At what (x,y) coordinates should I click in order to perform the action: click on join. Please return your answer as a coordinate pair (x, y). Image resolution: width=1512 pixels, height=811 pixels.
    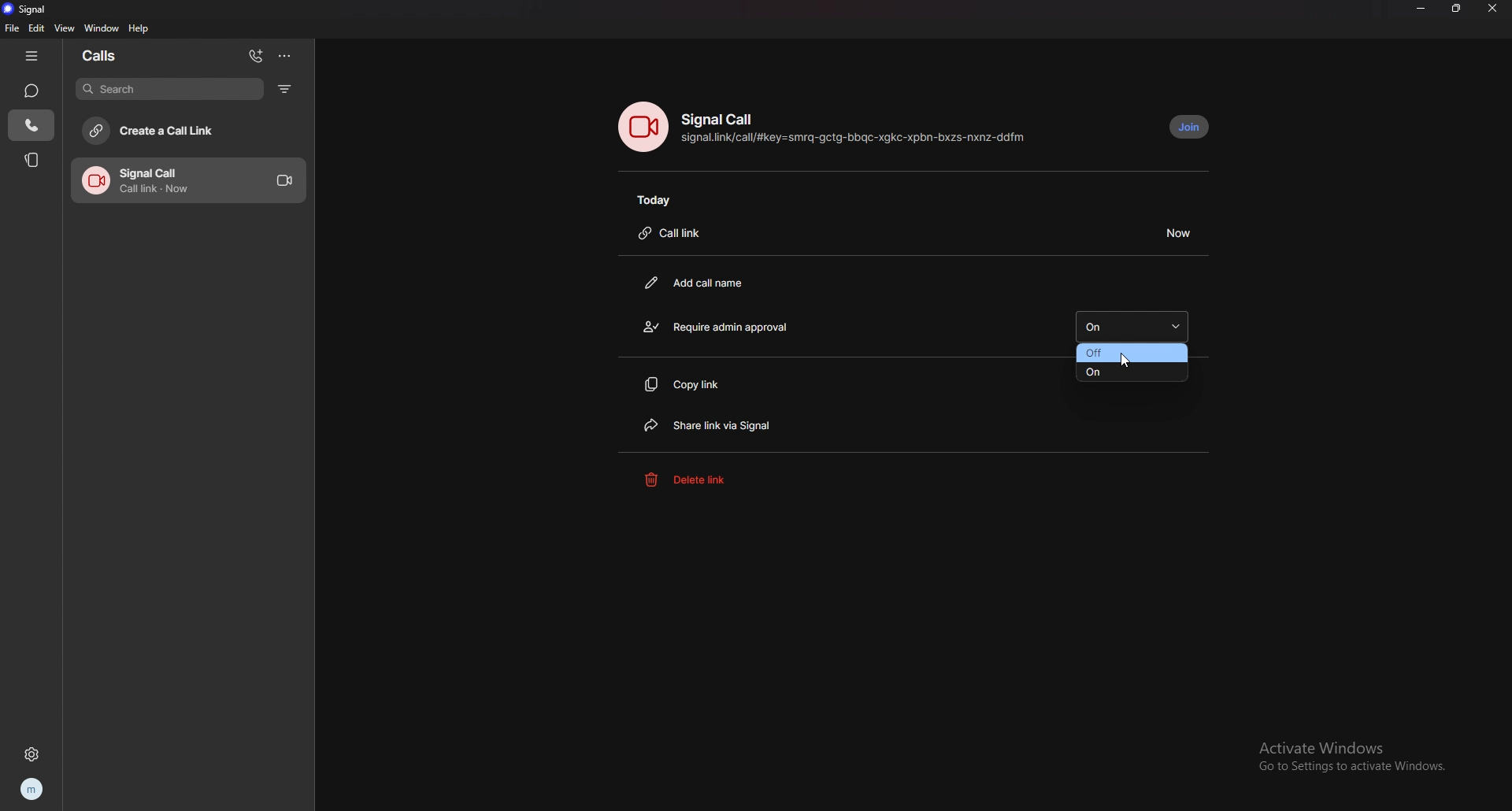
    Looking at the image, I should click on (1190, 127).